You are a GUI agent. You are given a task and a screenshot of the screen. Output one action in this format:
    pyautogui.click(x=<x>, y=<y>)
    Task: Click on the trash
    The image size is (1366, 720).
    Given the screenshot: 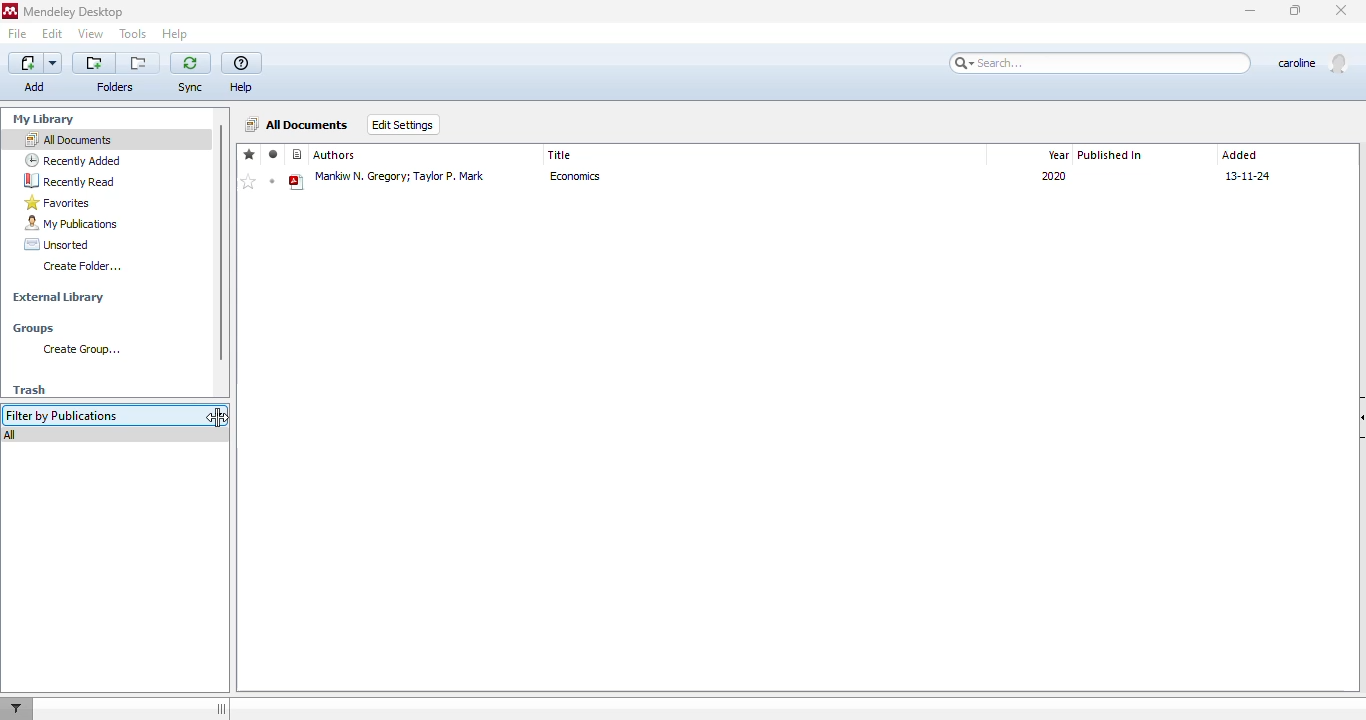 What is the action you would take?
    pyautogui.click(x=29, y=390)
    